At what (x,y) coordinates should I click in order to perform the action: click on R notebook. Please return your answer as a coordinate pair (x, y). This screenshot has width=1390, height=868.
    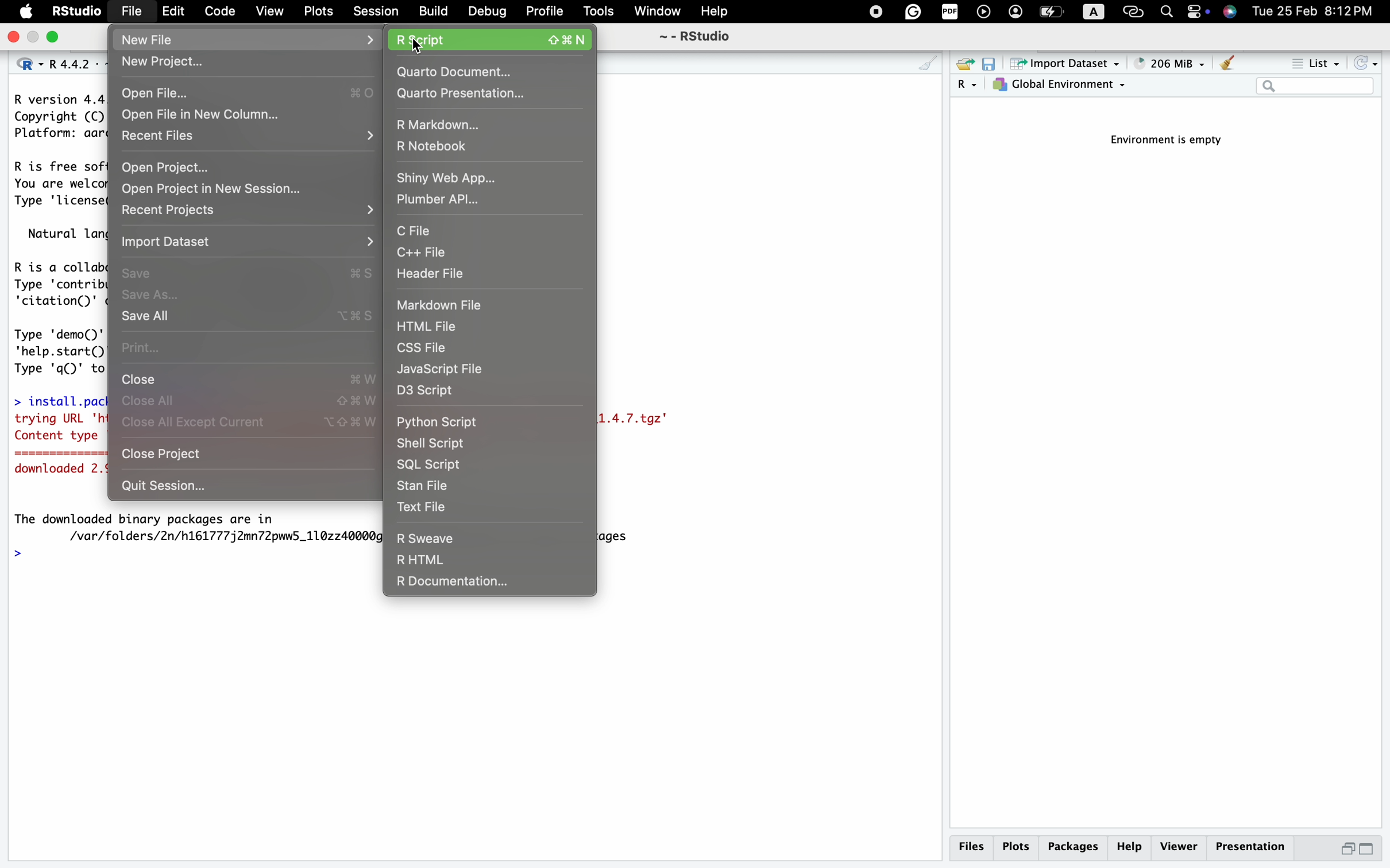
    Looking at the image, I should click on (485, 146).